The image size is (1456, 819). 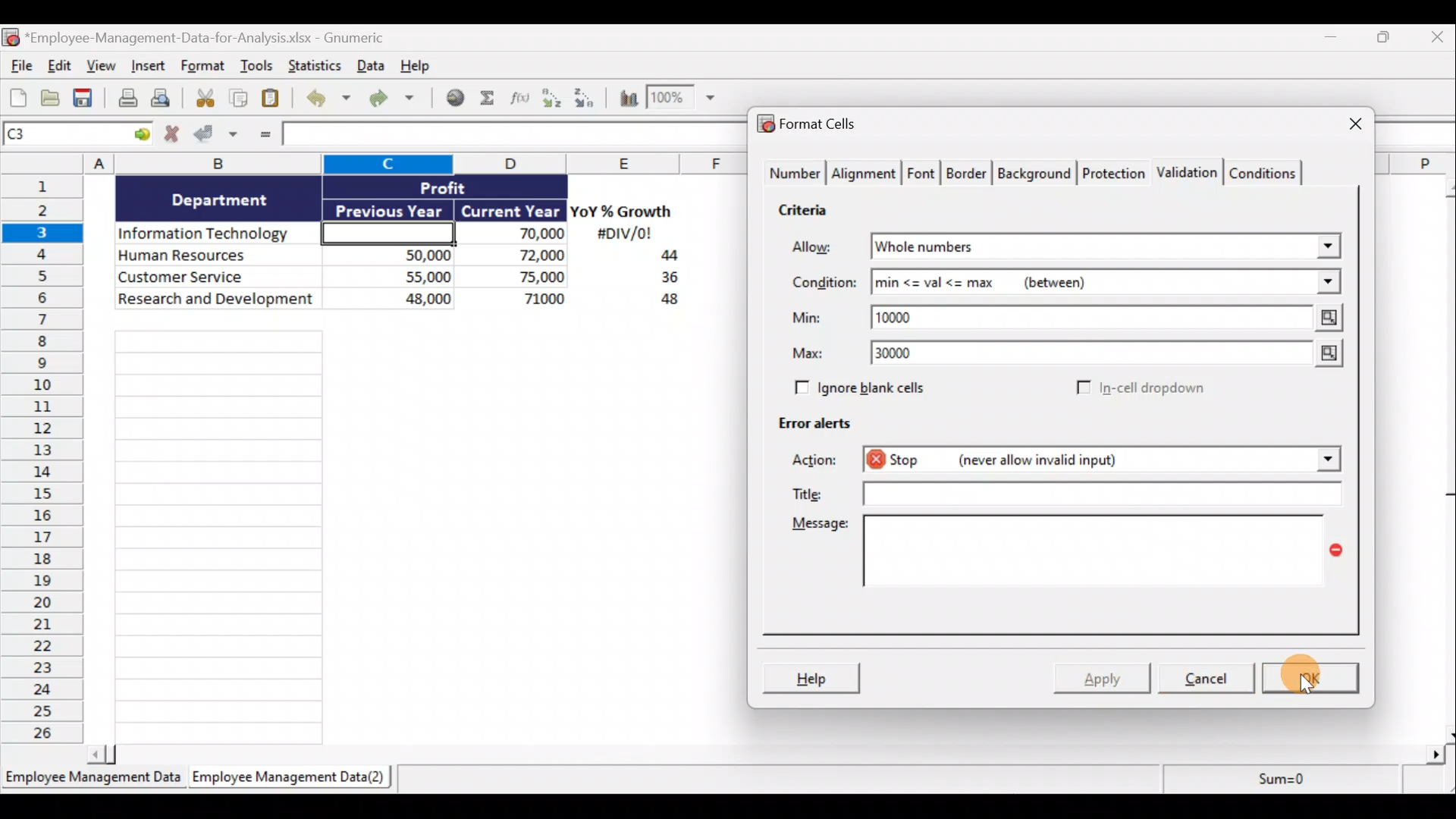 What do you see at coordinates (1324, 462) in the screenshot?
I see `Actions drop down` at bounding box center [1324, 462].